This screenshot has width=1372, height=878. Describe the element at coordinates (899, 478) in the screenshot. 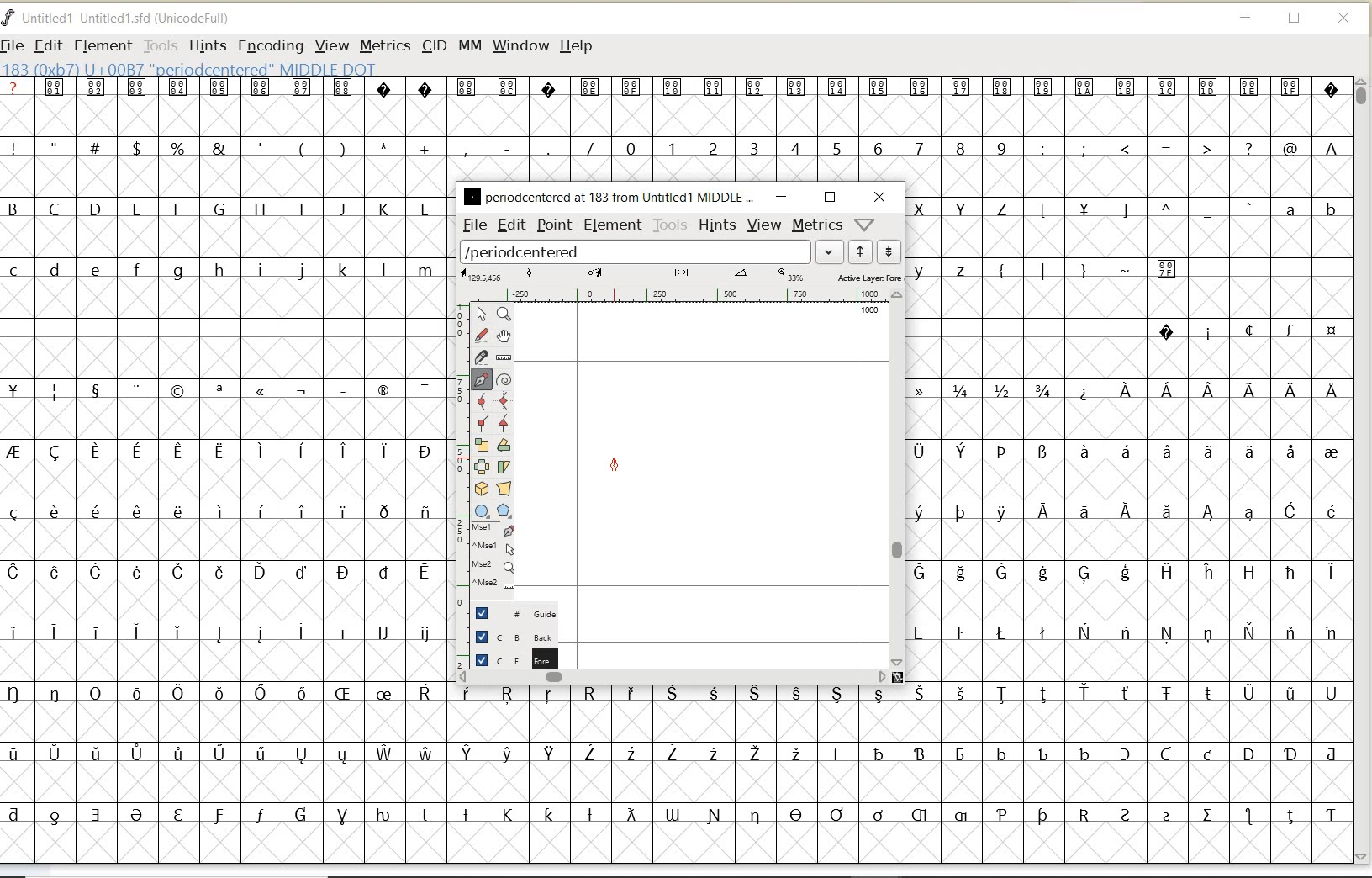

I see `scrollbar` at that location.